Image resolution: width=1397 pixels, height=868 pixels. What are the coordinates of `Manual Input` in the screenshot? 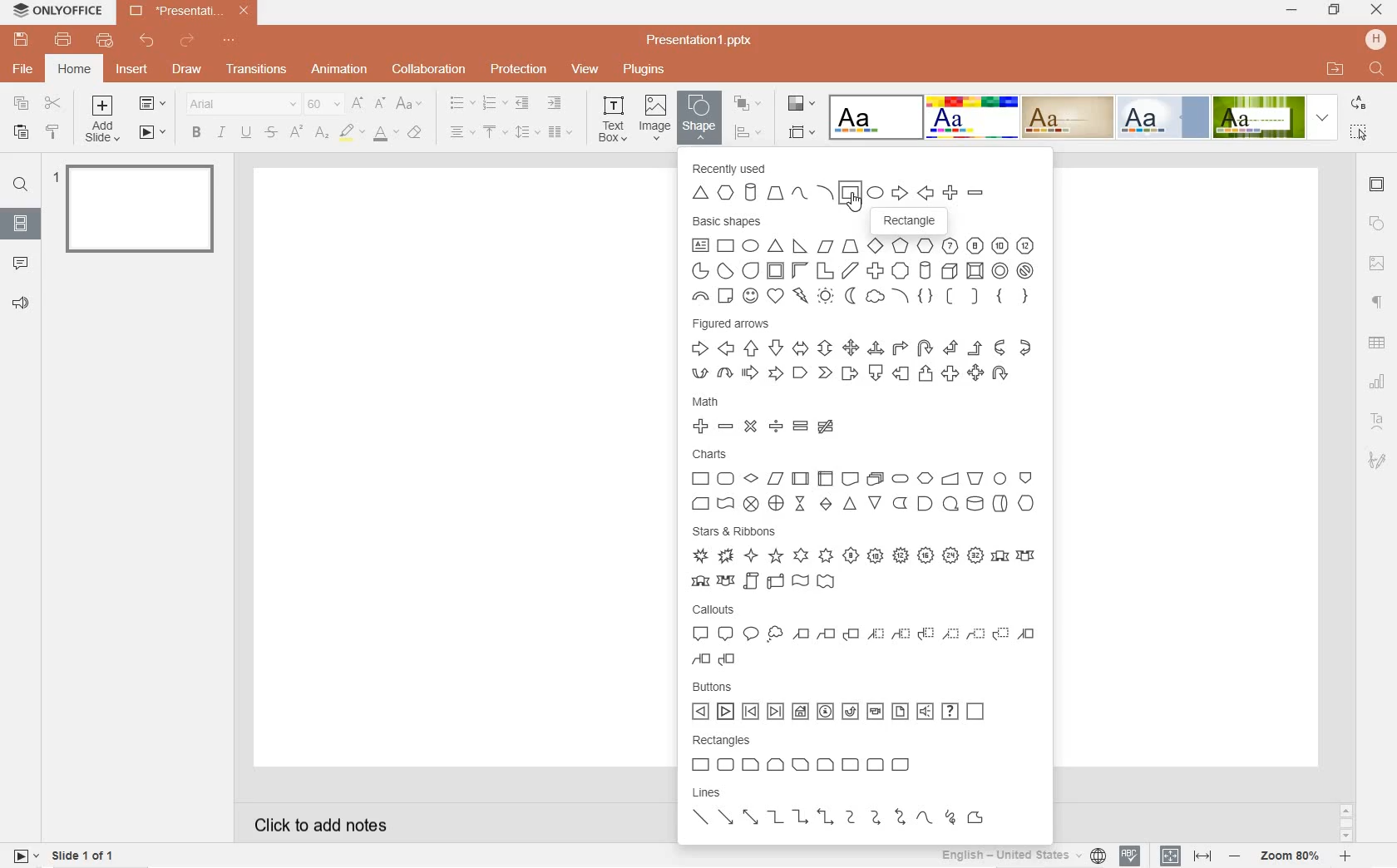 It's located at (950, 479).